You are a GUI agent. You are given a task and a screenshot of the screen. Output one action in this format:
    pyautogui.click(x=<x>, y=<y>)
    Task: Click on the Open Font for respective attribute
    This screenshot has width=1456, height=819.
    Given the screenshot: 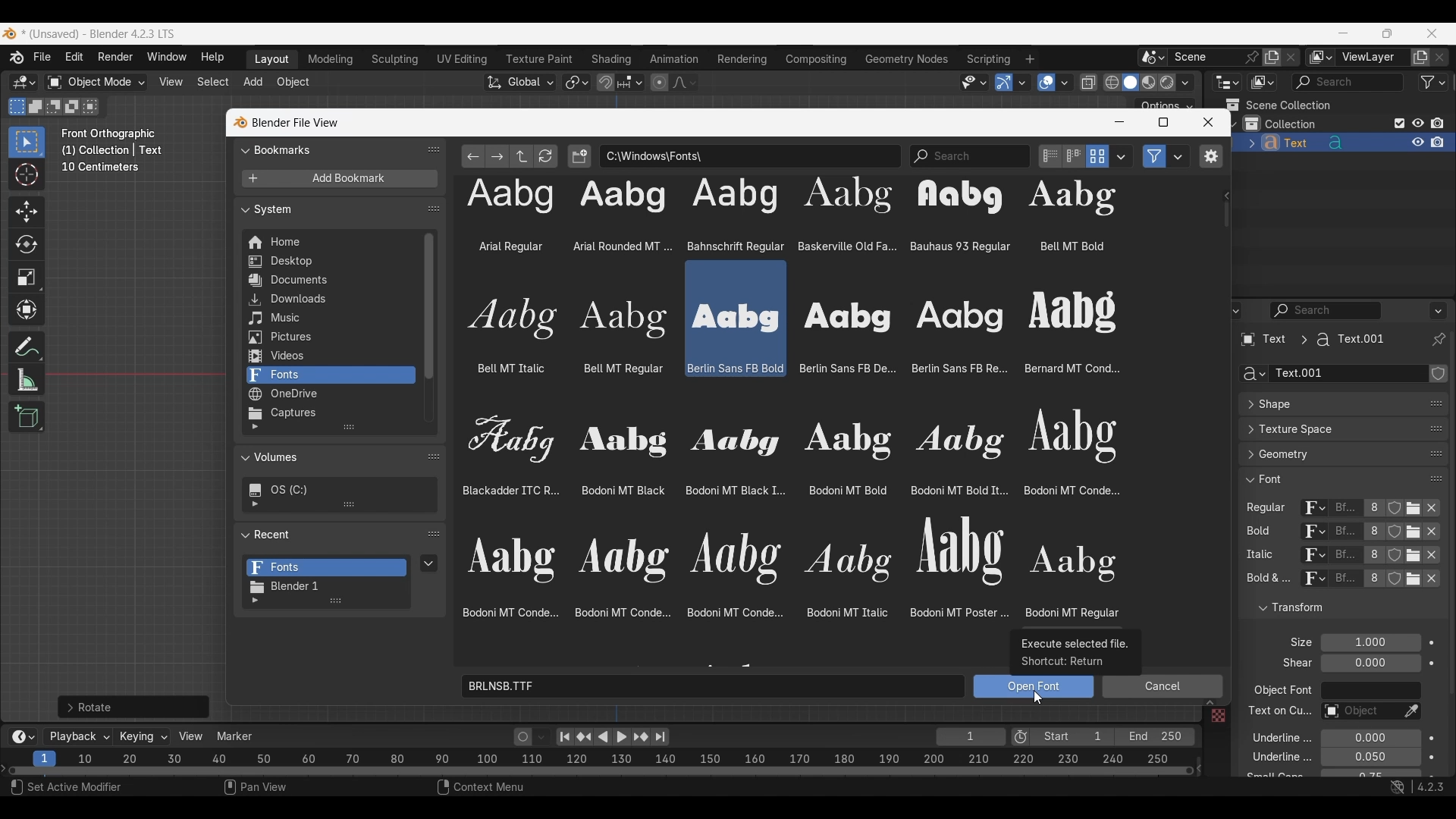 What is the action you would take?
    pyautogui.click(x=1417, y=507)
    